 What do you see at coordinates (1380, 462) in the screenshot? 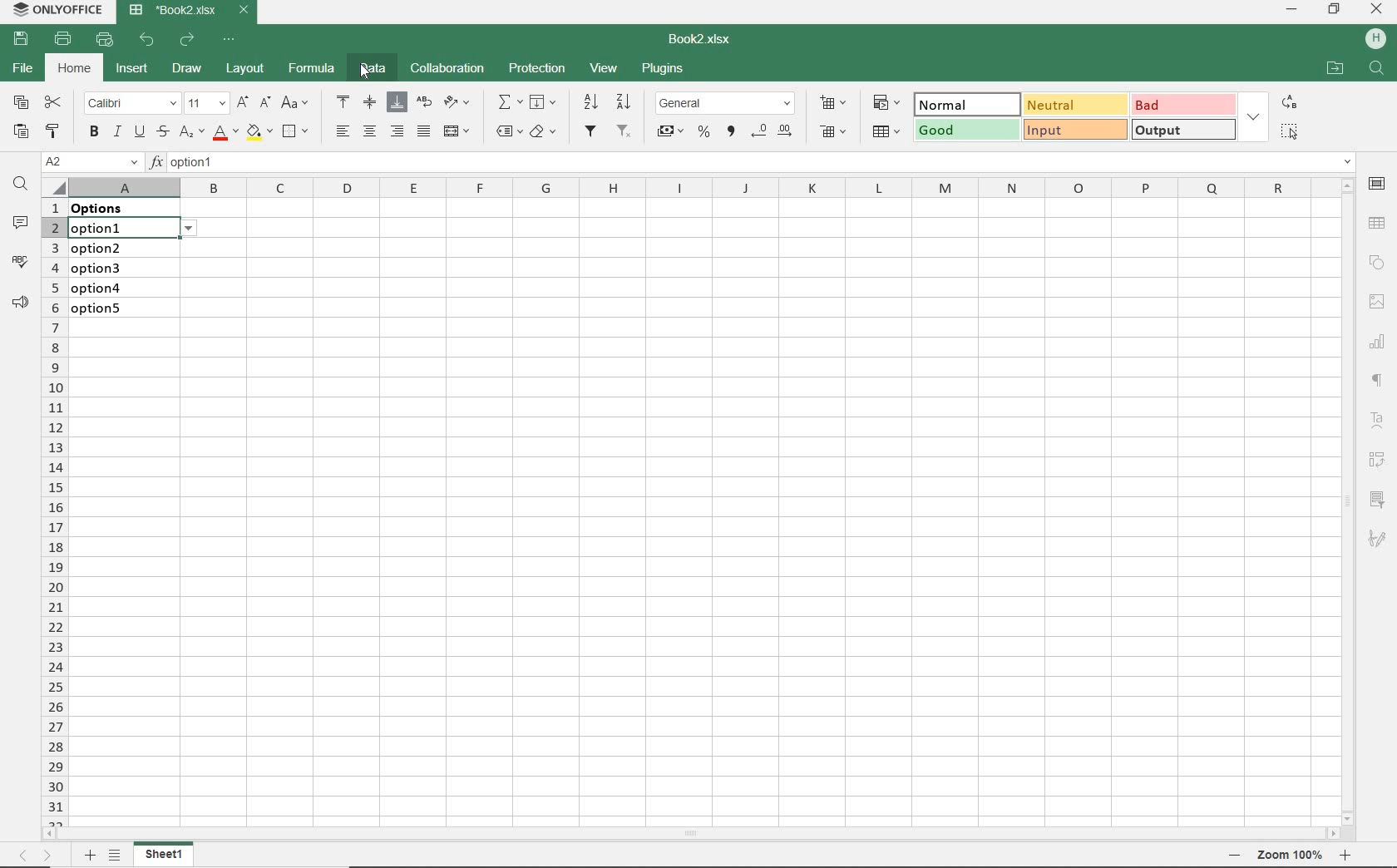
I see `PIVOT TABLE` at bounding box center [1380, 462].